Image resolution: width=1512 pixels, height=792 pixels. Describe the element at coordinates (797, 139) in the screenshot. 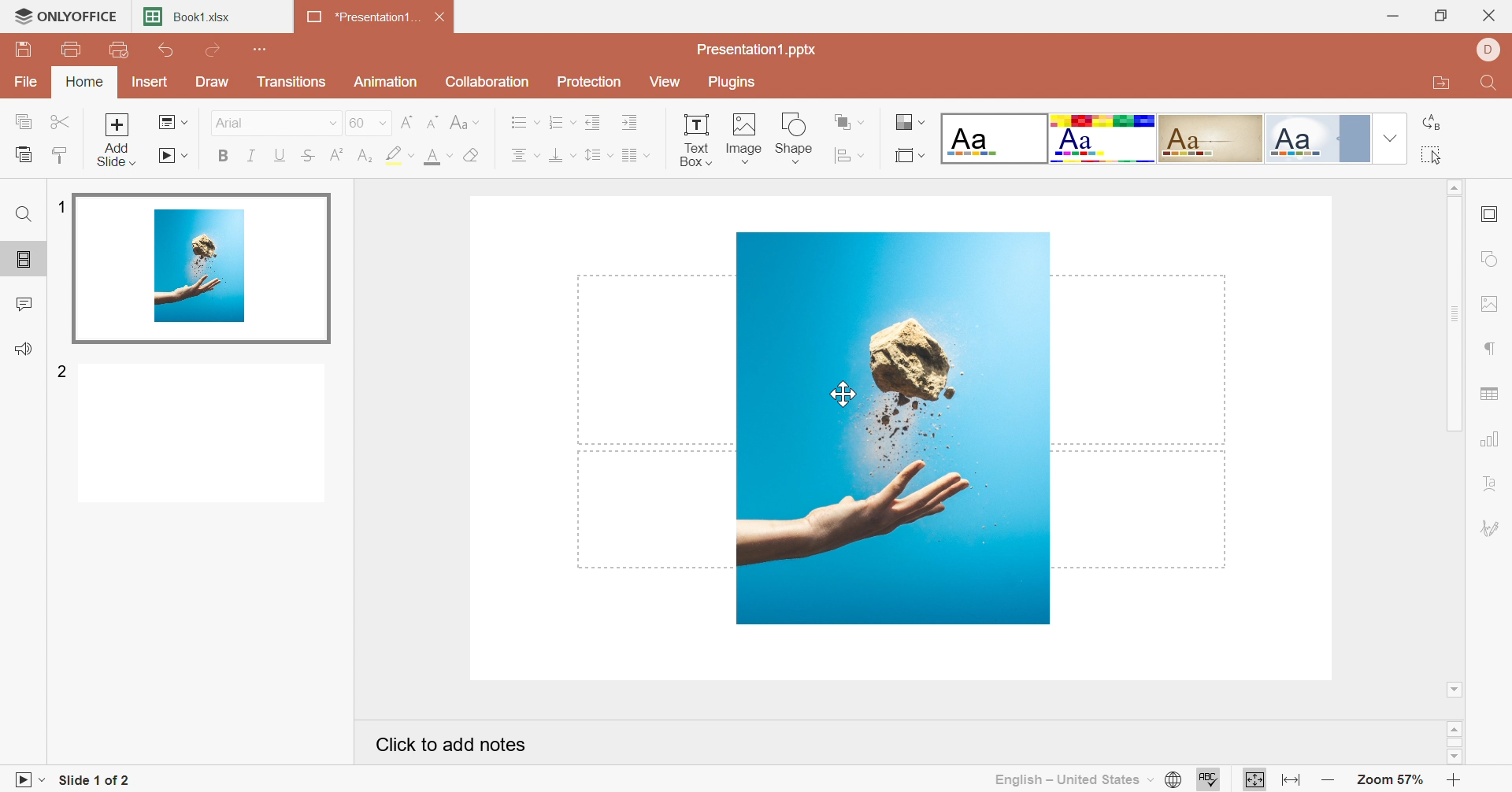

I see `Shape` at that location.